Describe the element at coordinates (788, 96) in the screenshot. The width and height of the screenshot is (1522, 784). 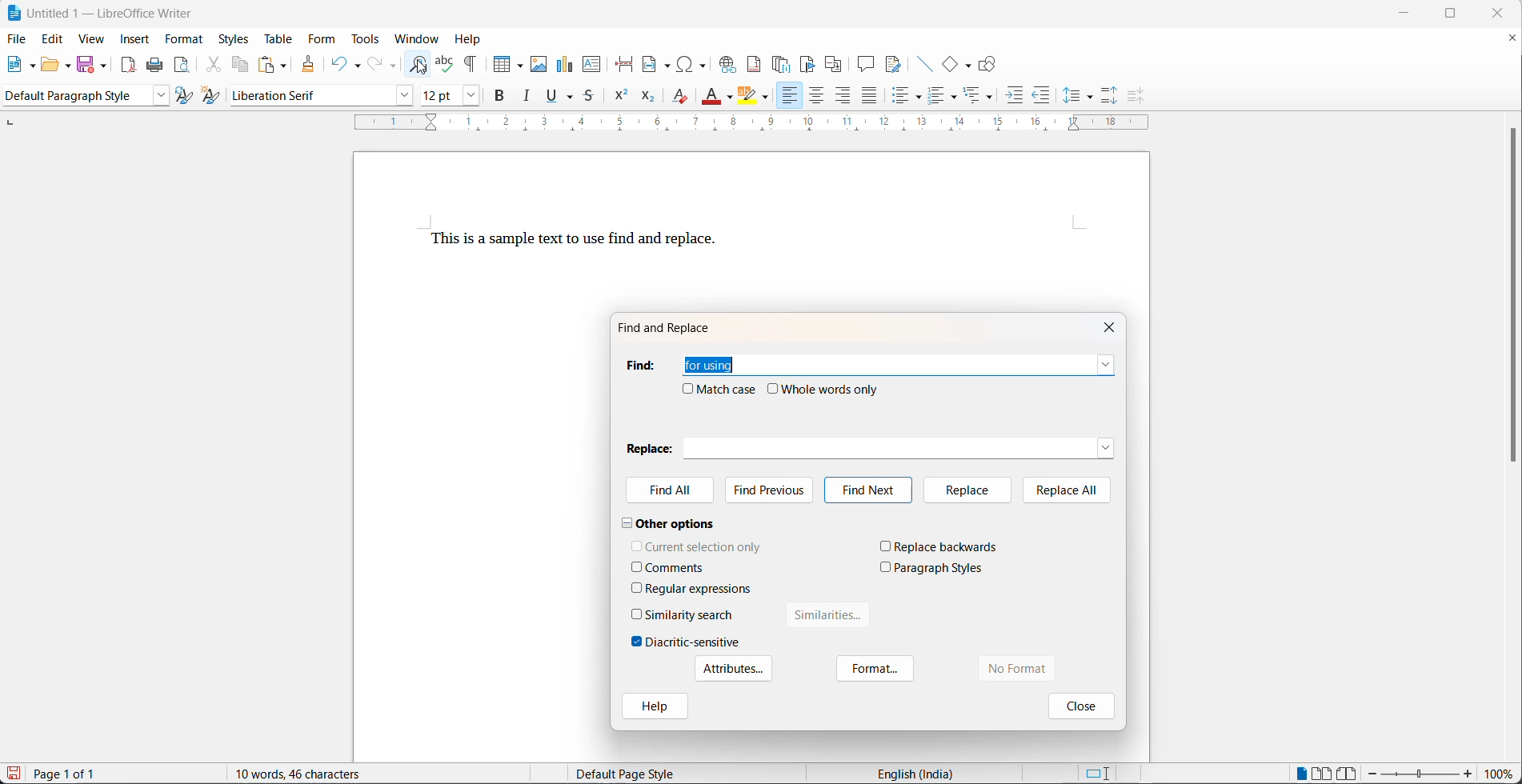
I see `text align left` at that location.